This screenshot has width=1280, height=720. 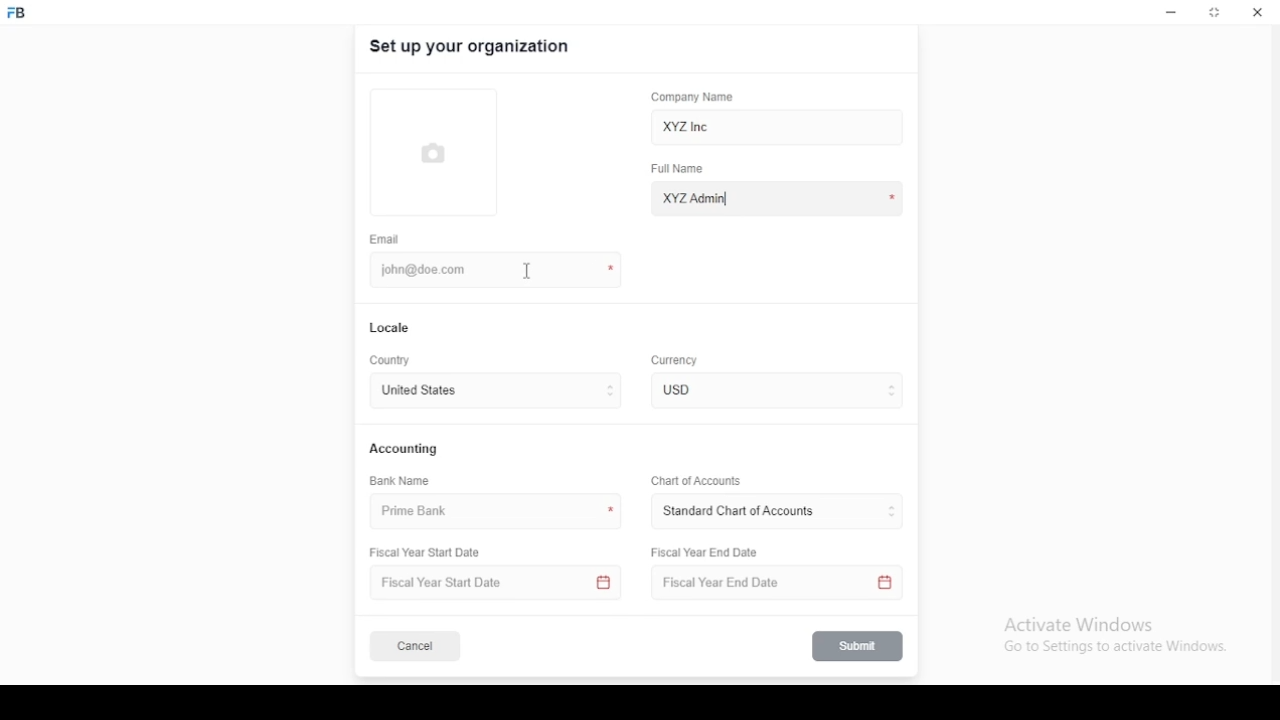 I want to click on bank name, so click(x=401, y=481).